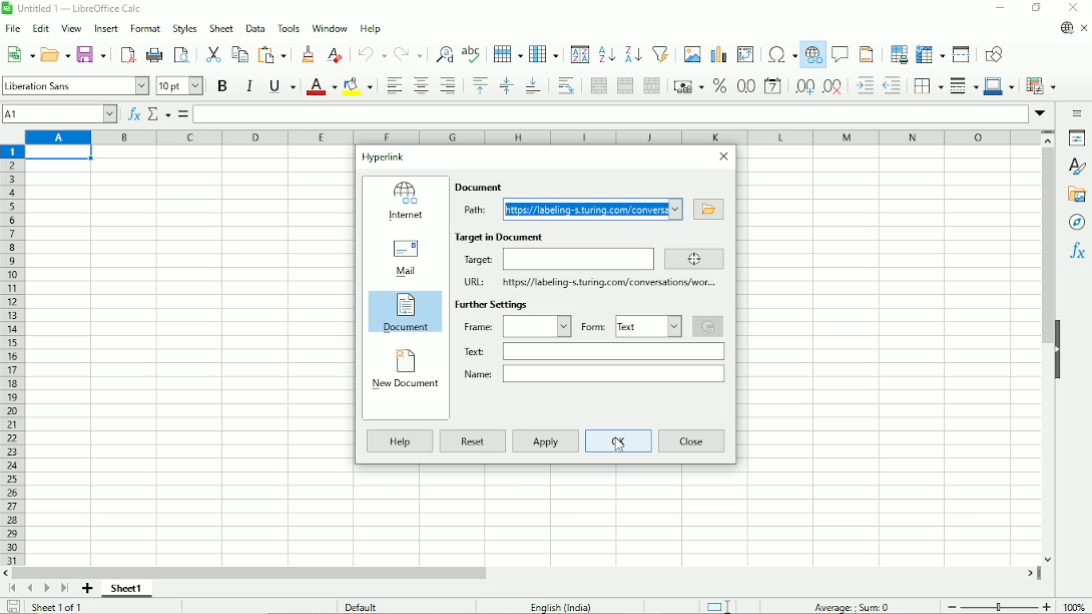  Describe the element at coordinates (595, 326) in the screenshot. I see `From` at that location.